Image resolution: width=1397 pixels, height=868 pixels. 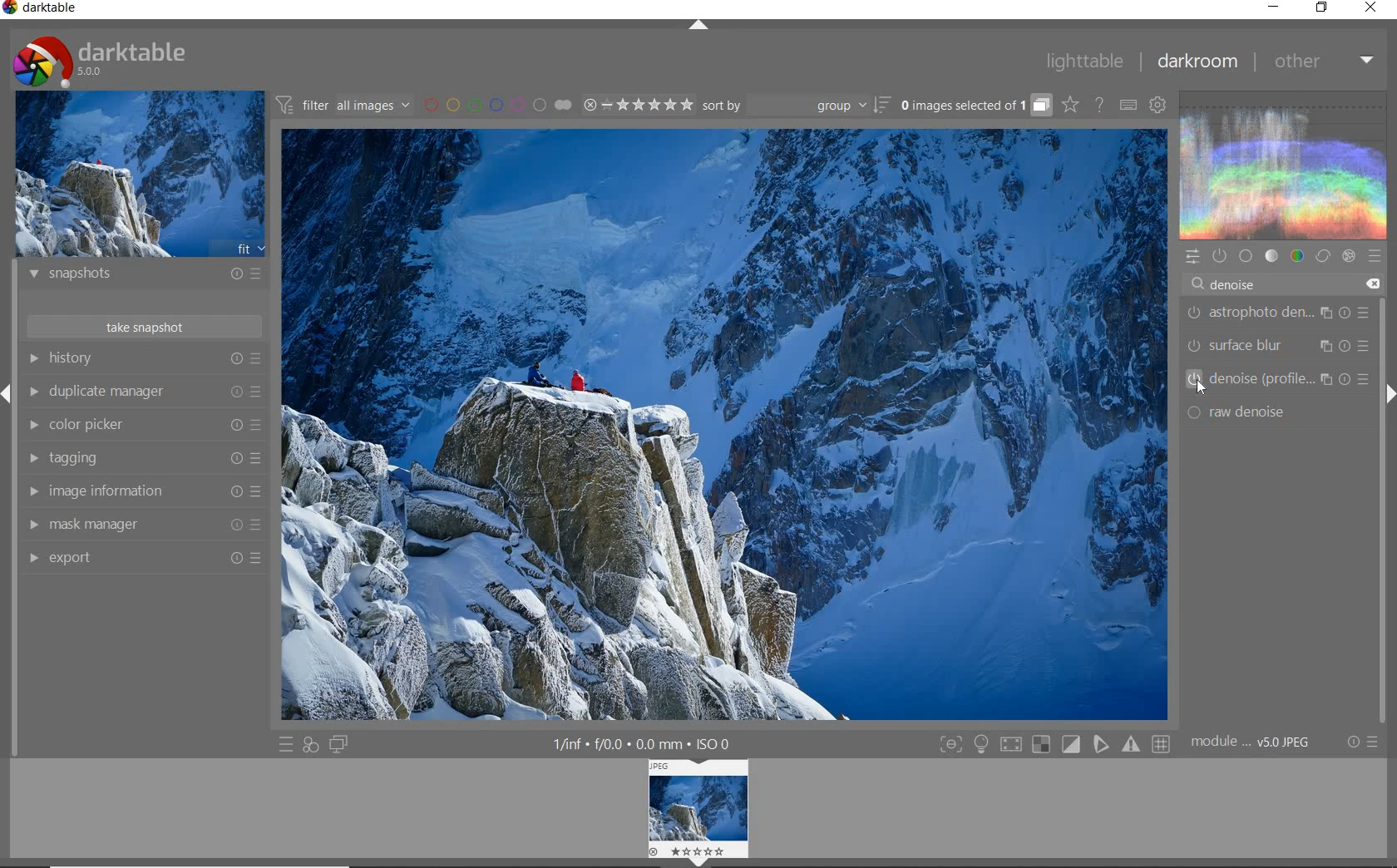 I want to click on delete, so click(x=1371, y=284).